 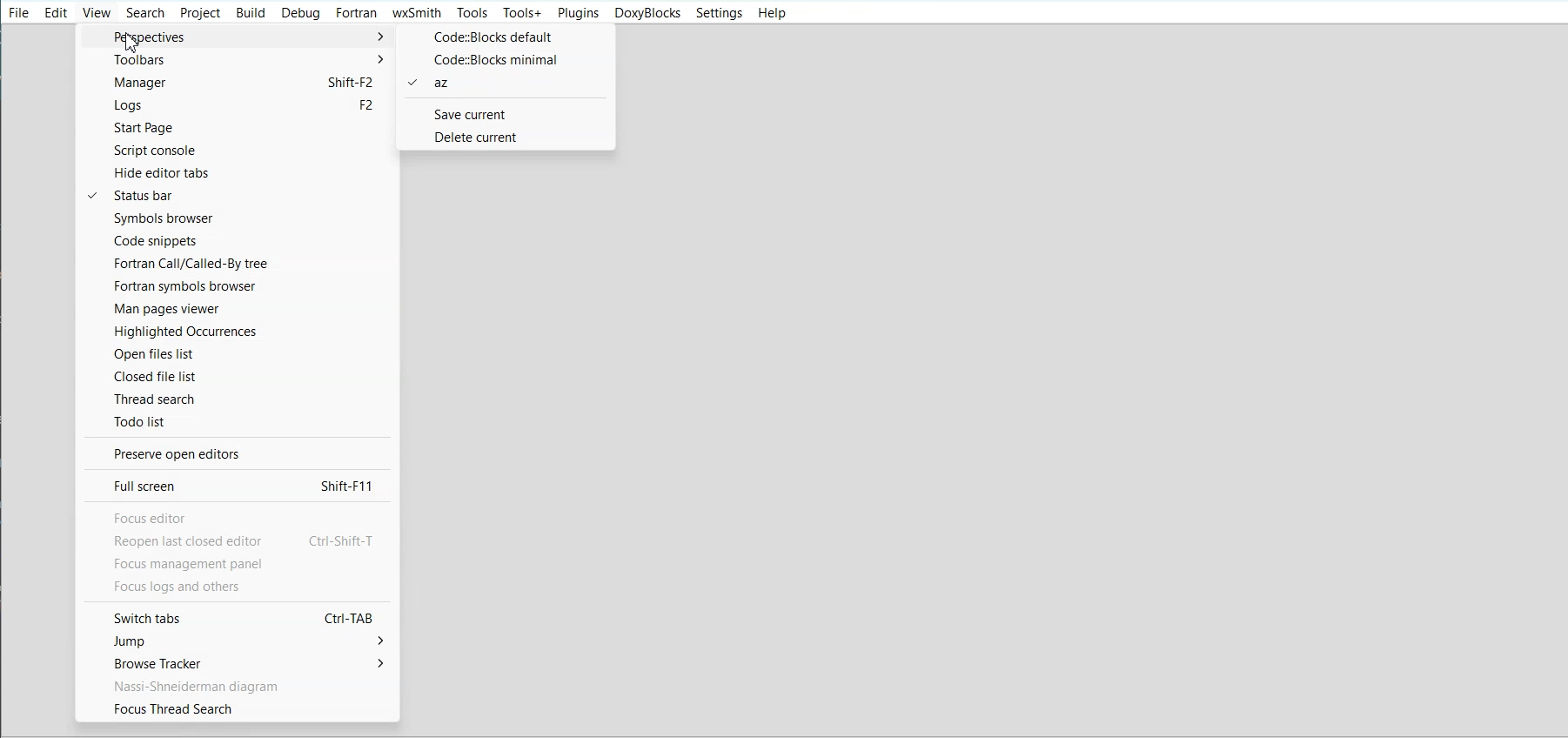 What do you see at coordinates (245, 641) in the screenshot?
I see `Jump` at bounding box center [245, 641].